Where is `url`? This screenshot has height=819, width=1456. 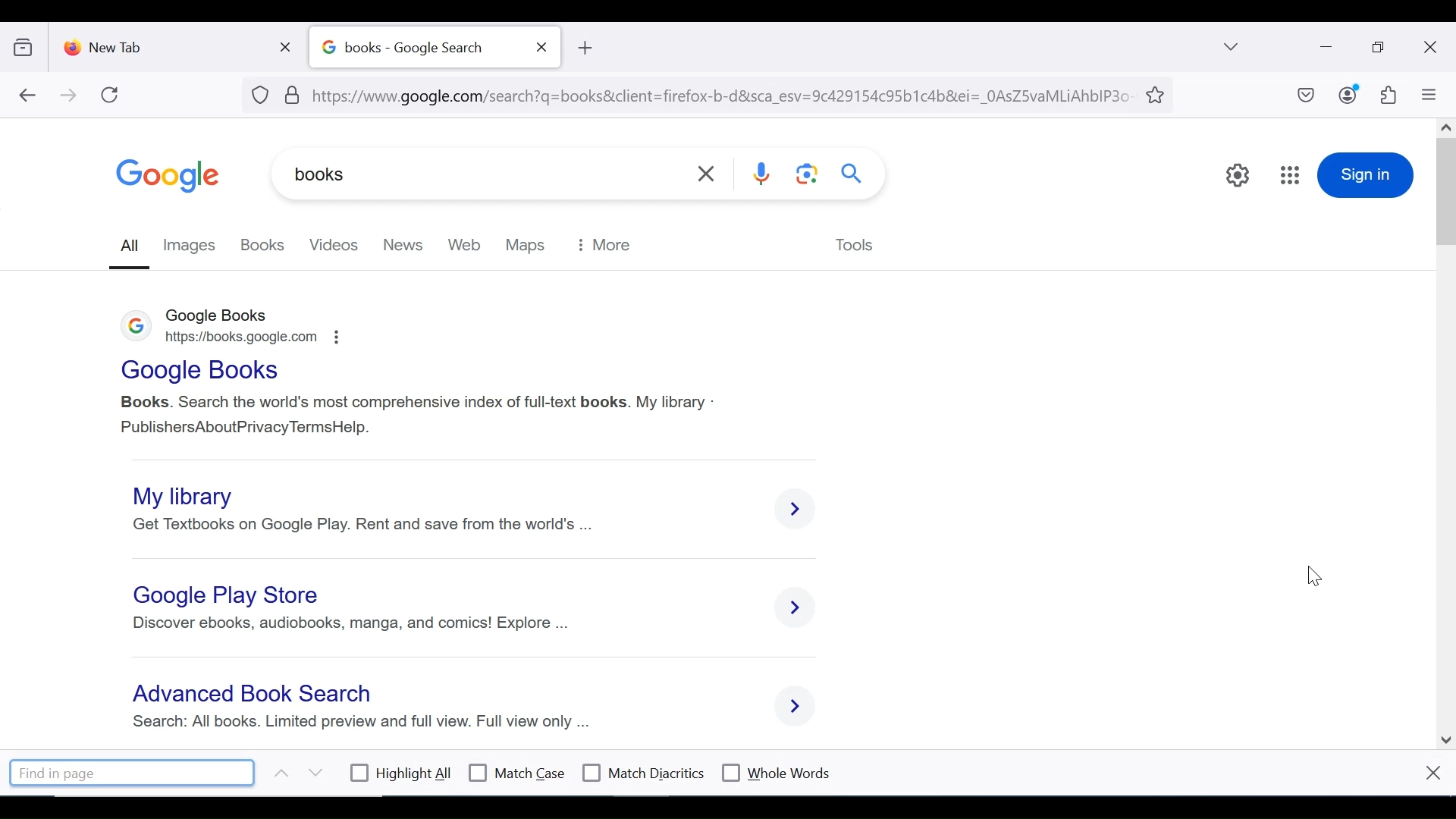 url is located at coordinates (693, 93).